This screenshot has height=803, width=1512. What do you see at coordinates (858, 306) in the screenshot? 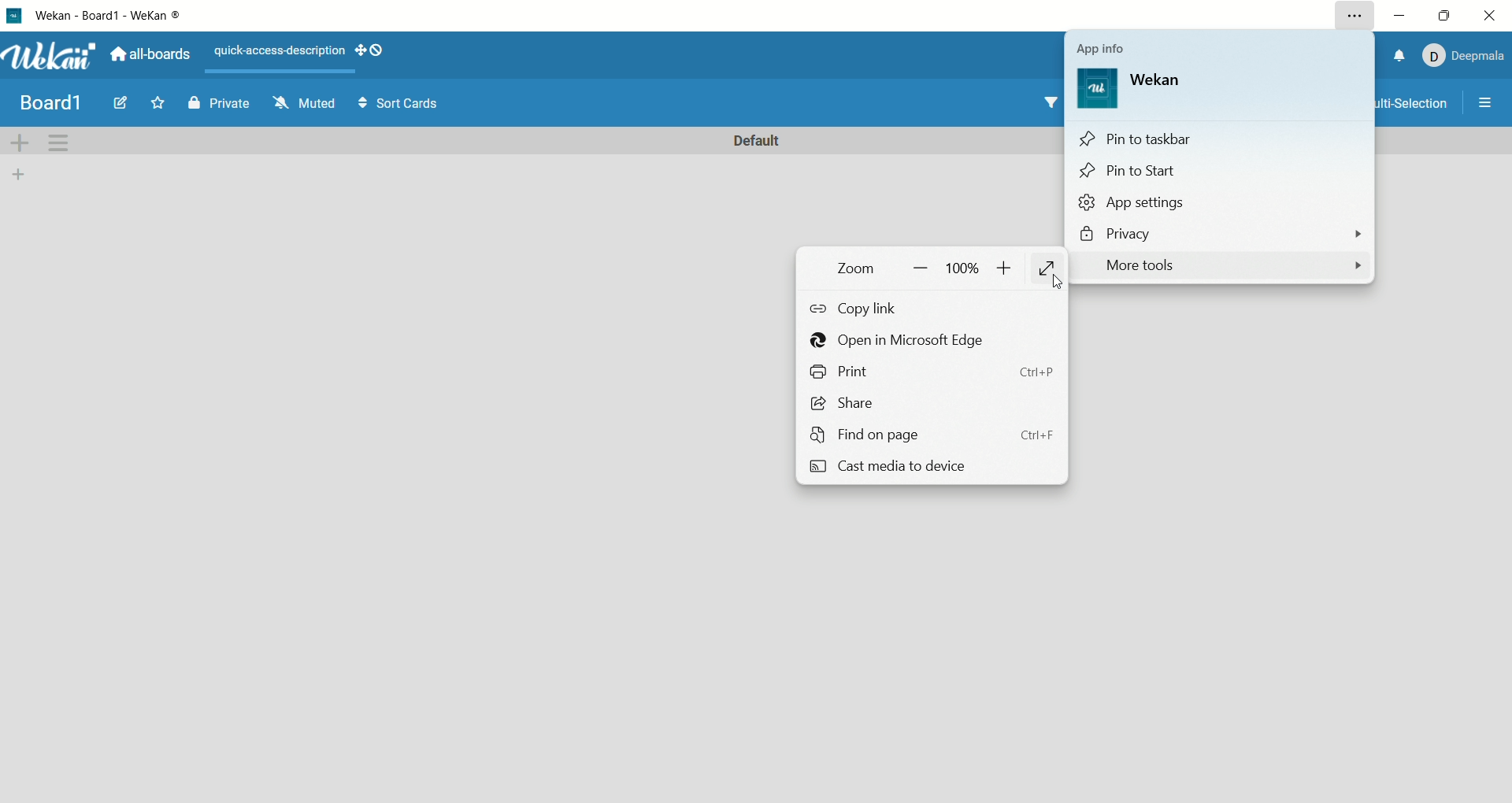
I see `copy link` at bounding box center [858, 306].